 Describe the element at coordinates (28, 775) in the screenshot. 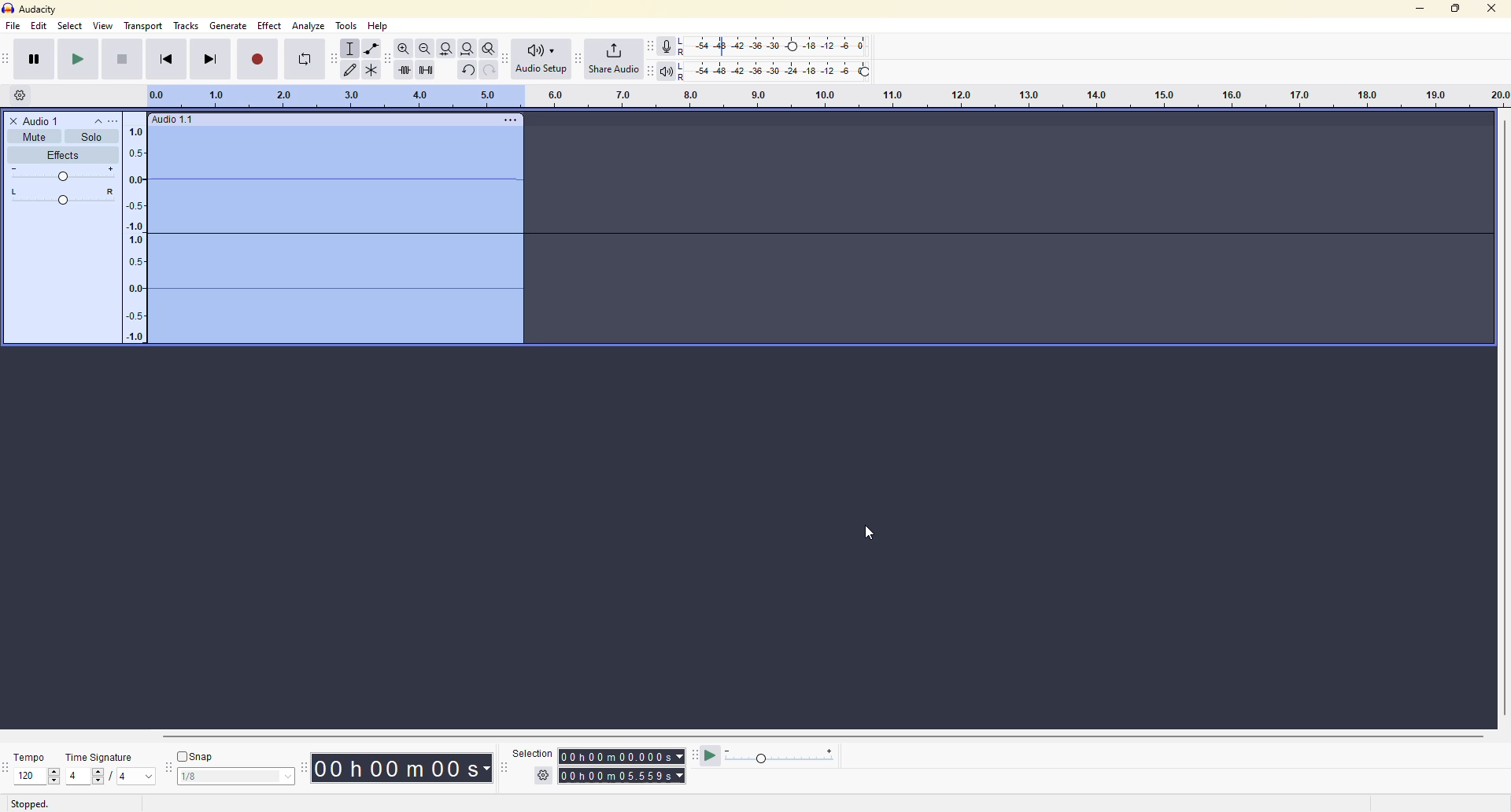

I see `120` at that location.